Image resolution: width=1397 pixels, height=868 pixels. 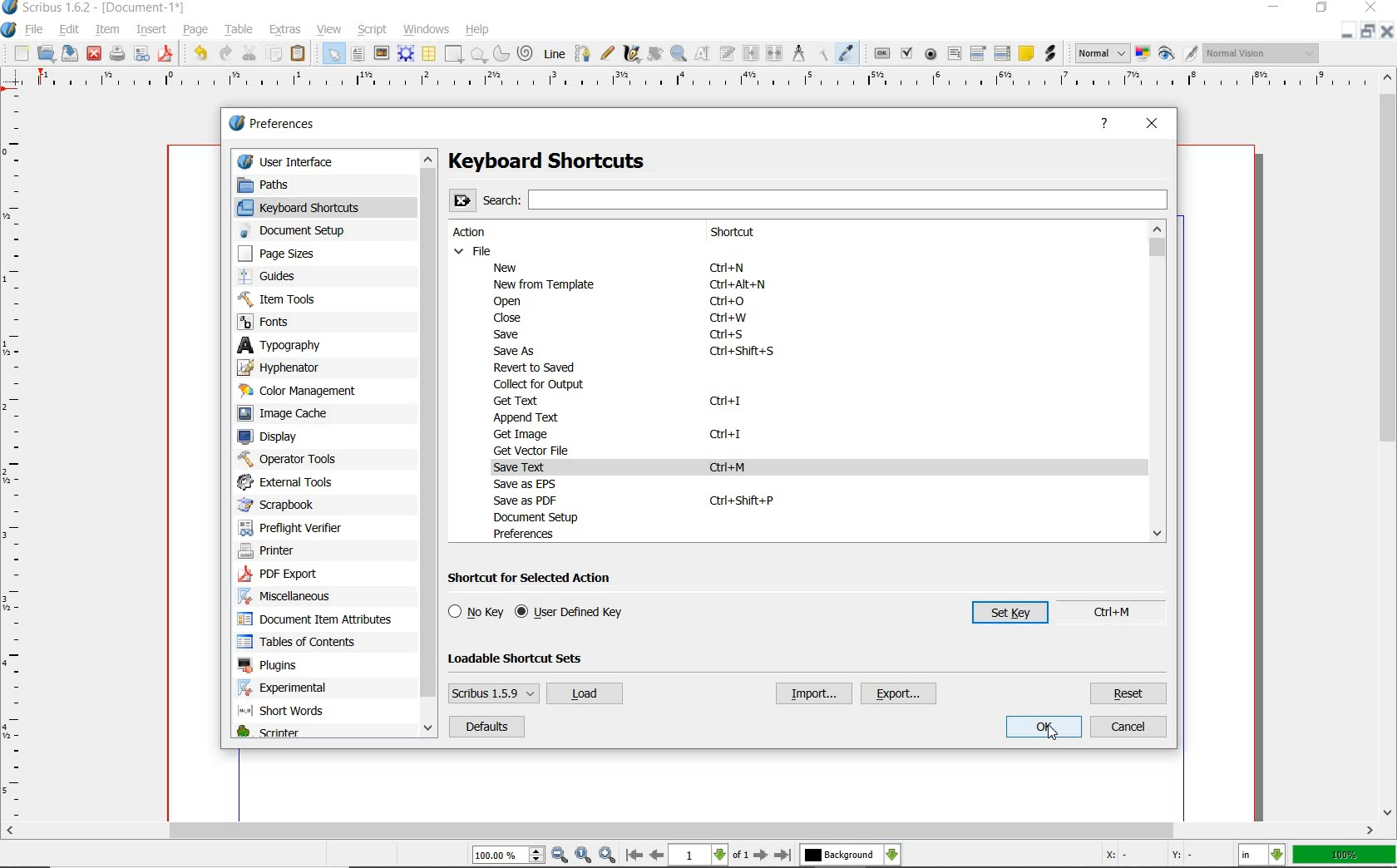 What do you see at coordinates (284, 505) in the screenshot?
I see `scrapbook` at bounding box center [284, 505].